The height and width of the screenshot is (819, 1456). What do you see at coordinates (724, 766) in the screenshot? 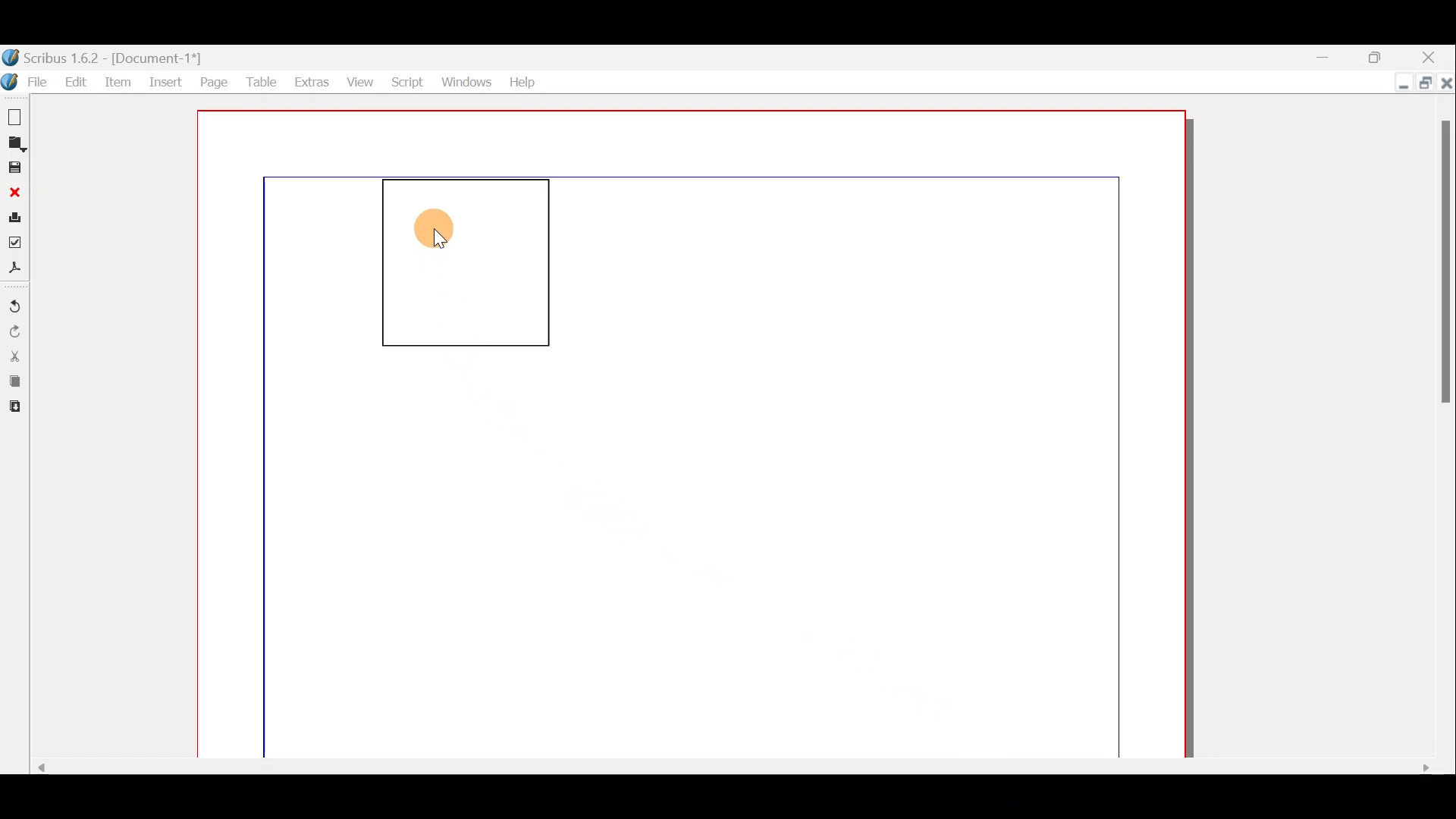
I see `Scroll bar` at bounding box center [724, 766].